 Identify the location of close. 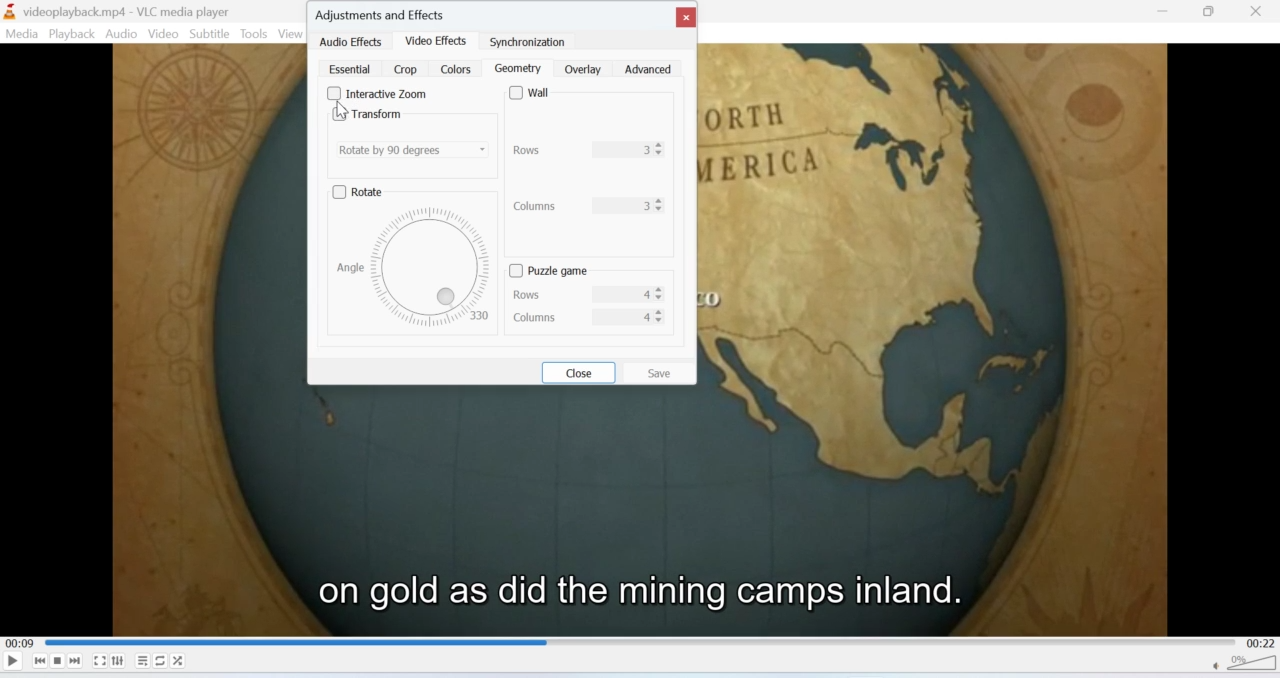
(579, 373).